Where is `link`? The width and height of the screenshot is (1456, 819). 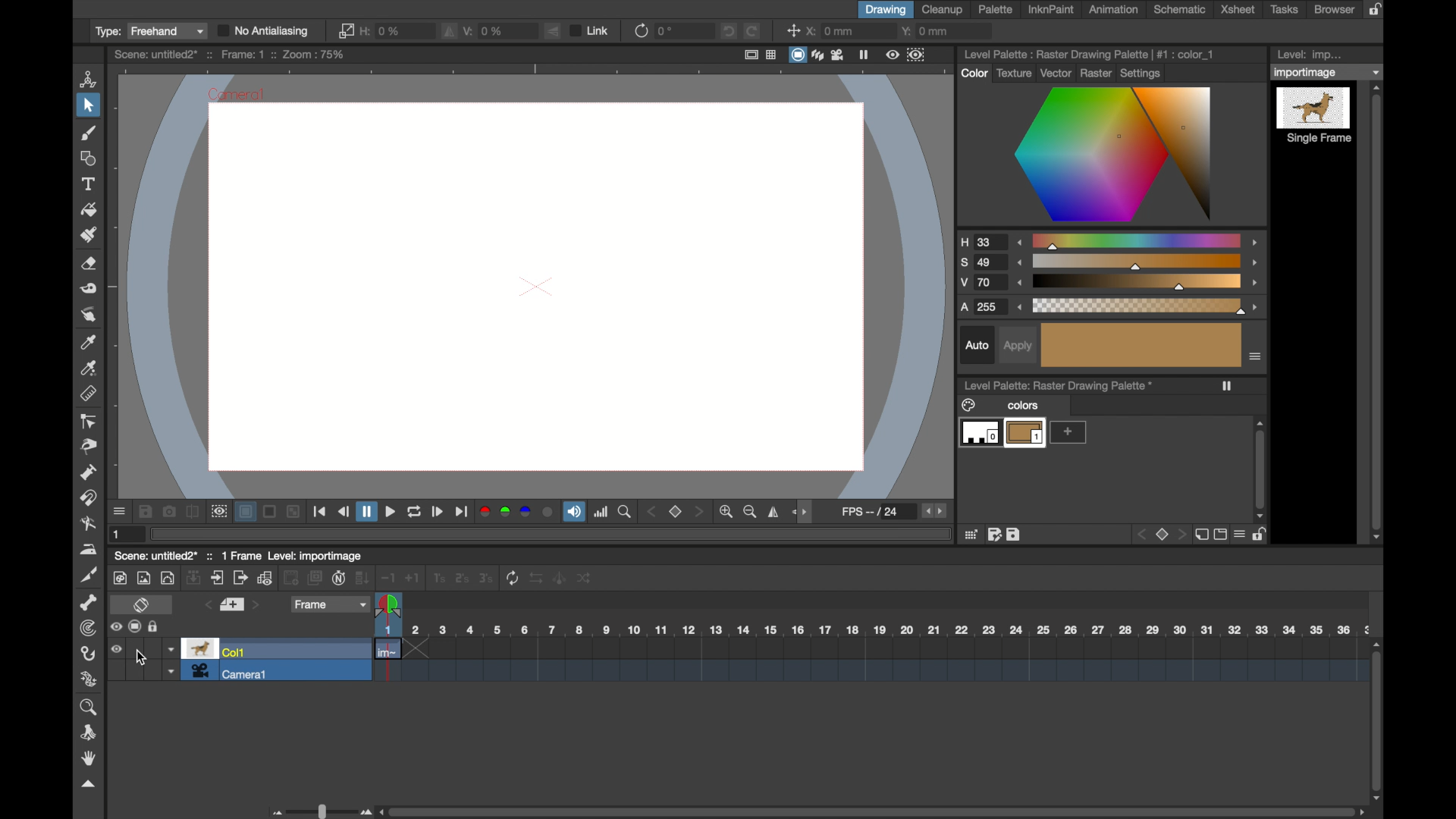
link is located at coordinates (345, 30).